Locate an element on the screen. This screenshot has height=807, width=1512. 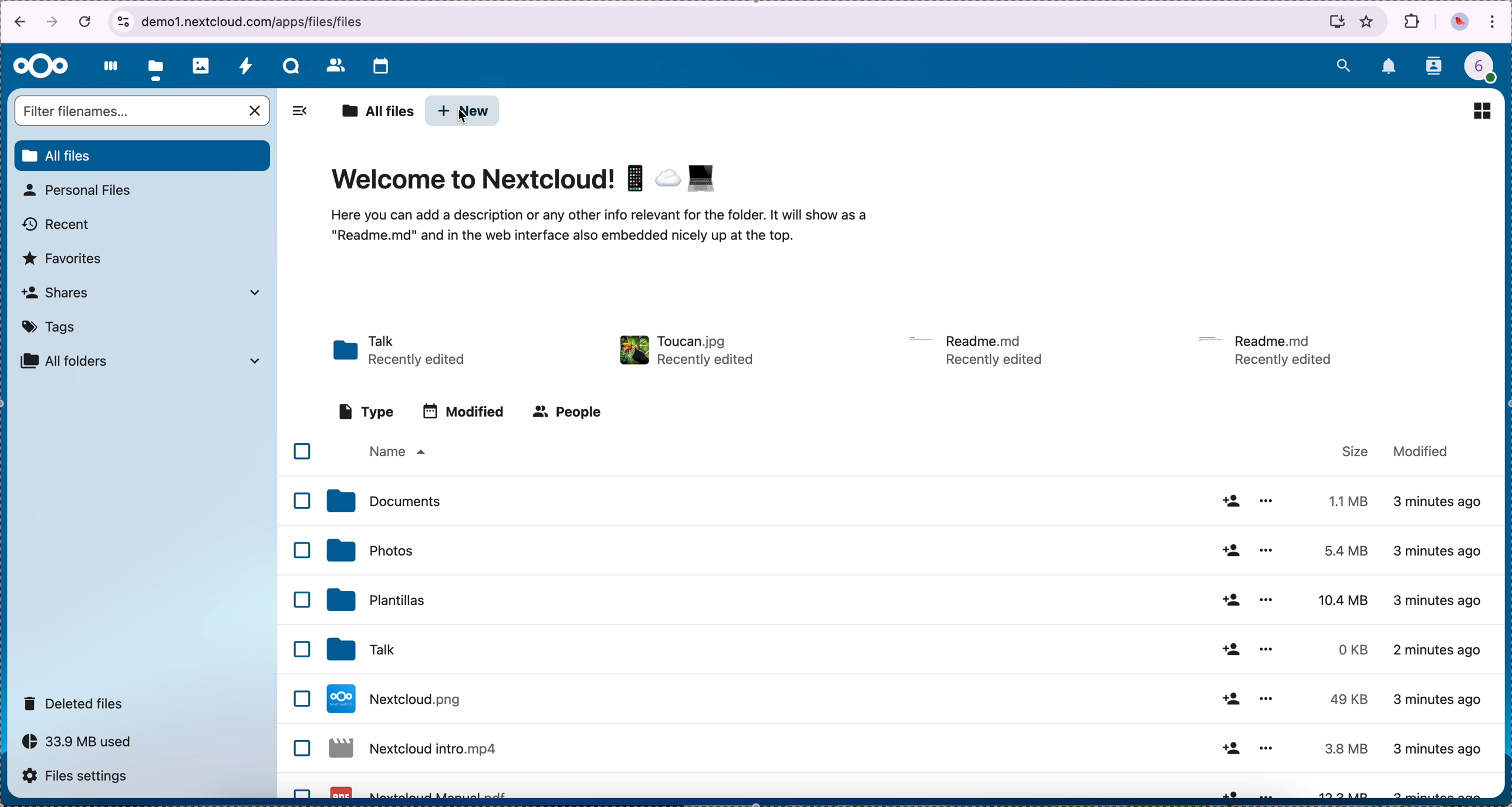
view site information is located at coordinates (123, 22).